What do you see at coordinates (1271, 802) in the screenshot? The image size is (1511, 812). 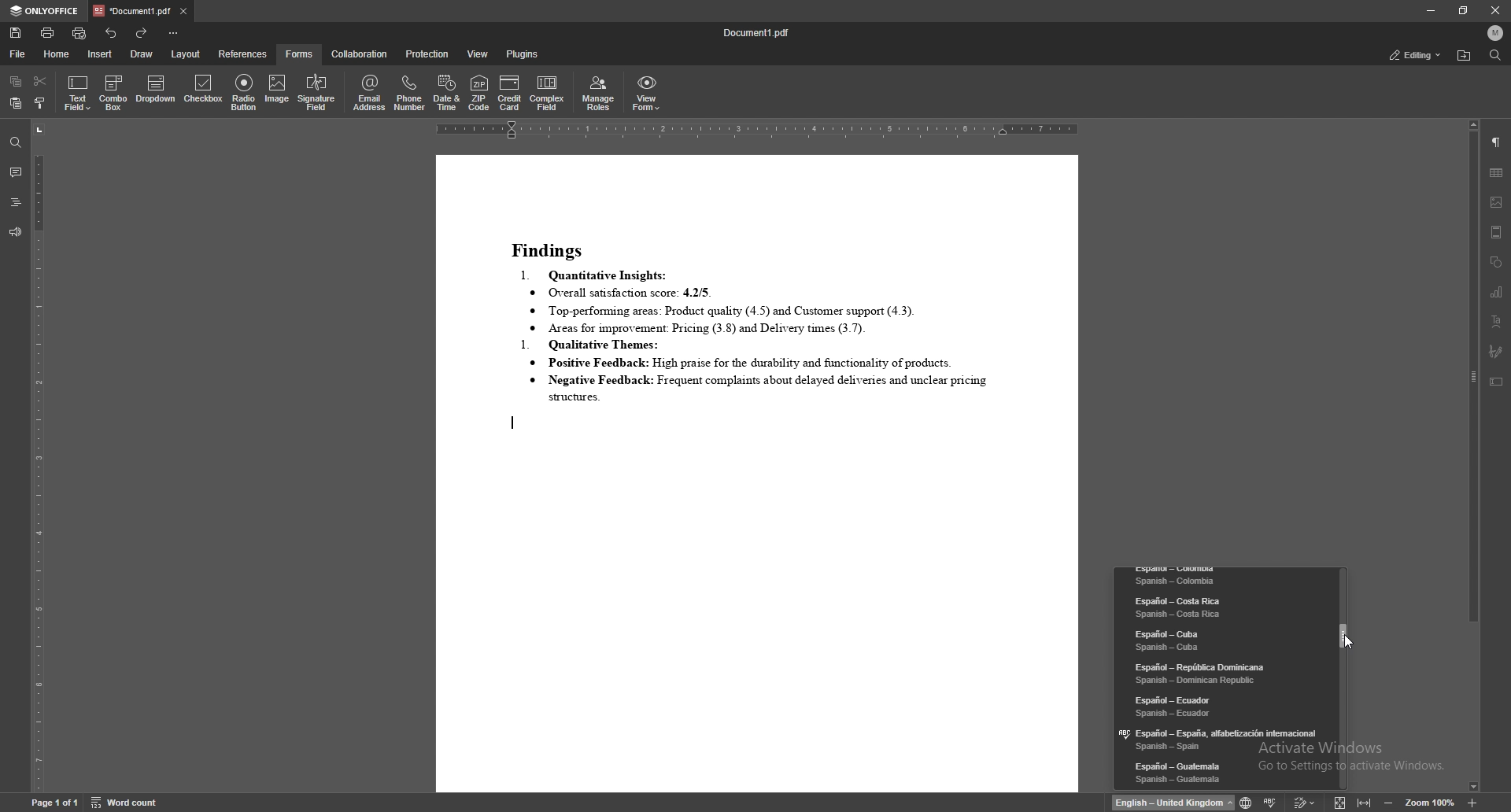 I see `spell check` at bounding box center [1271, 802].